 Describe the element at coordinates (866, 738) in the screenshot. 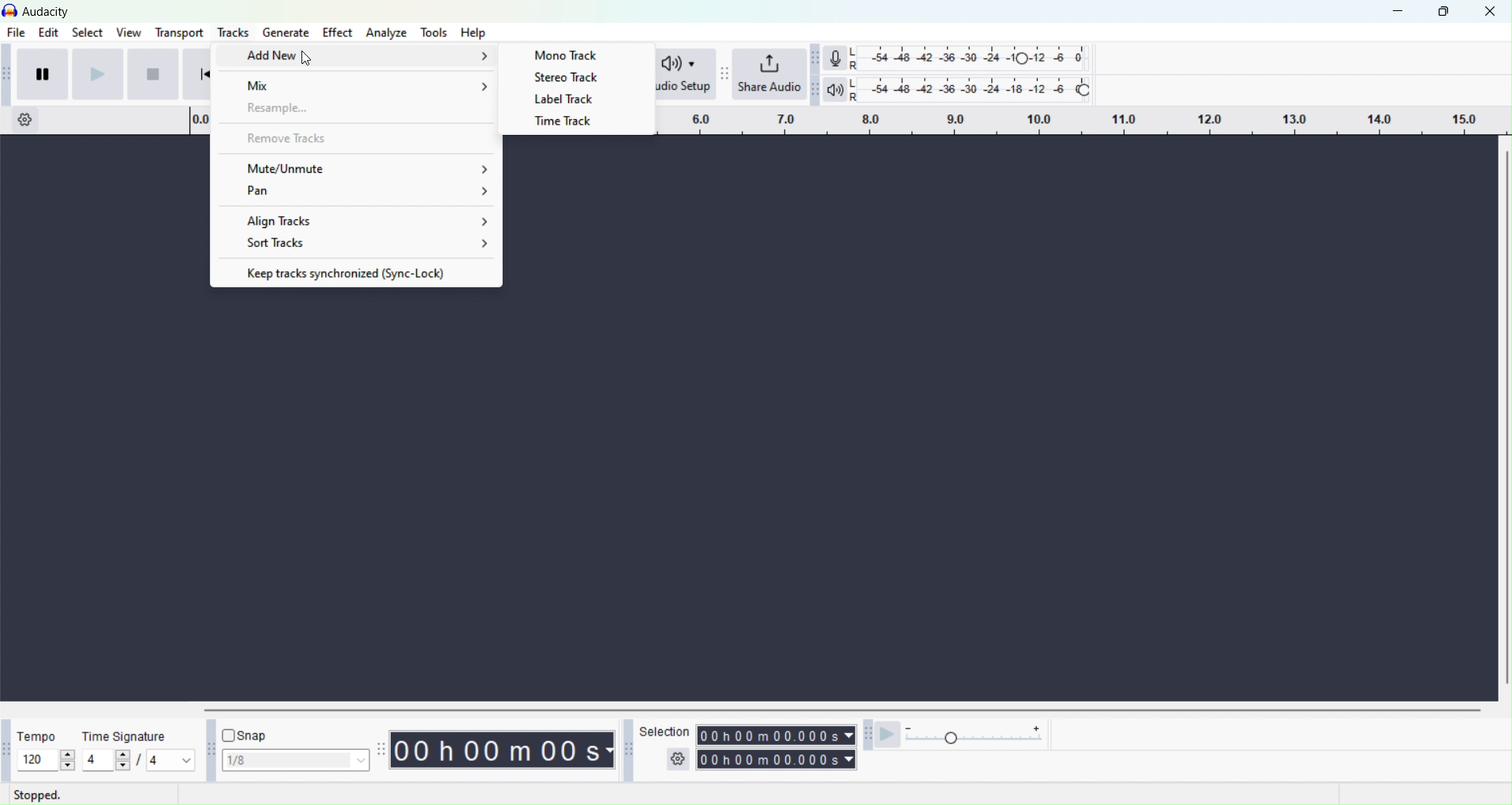

I see `Audacity play at speed toolbar` at that location.